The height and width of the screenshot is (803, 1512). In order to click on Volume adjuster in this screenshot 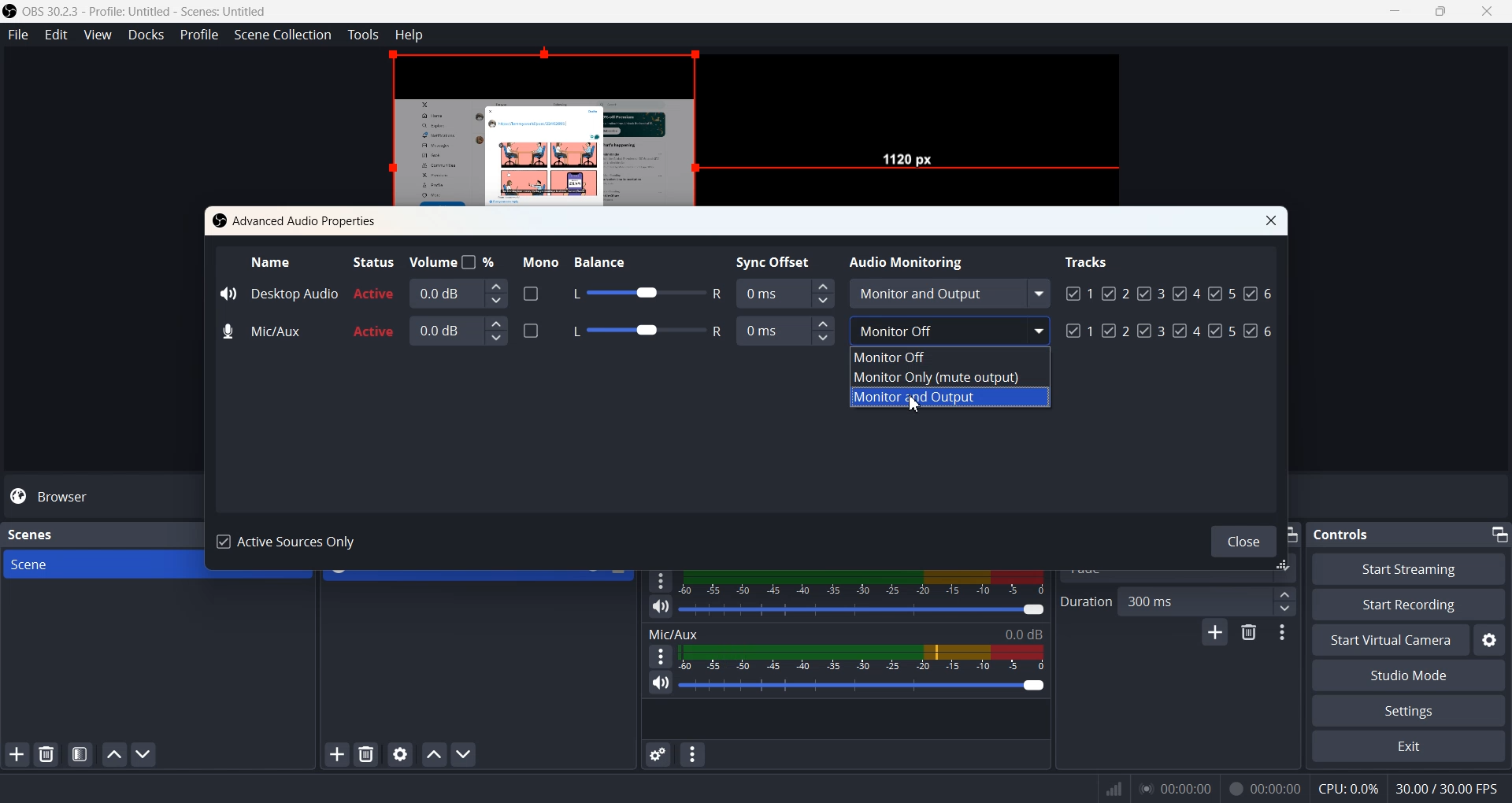, I will do `click(865, 609)`.